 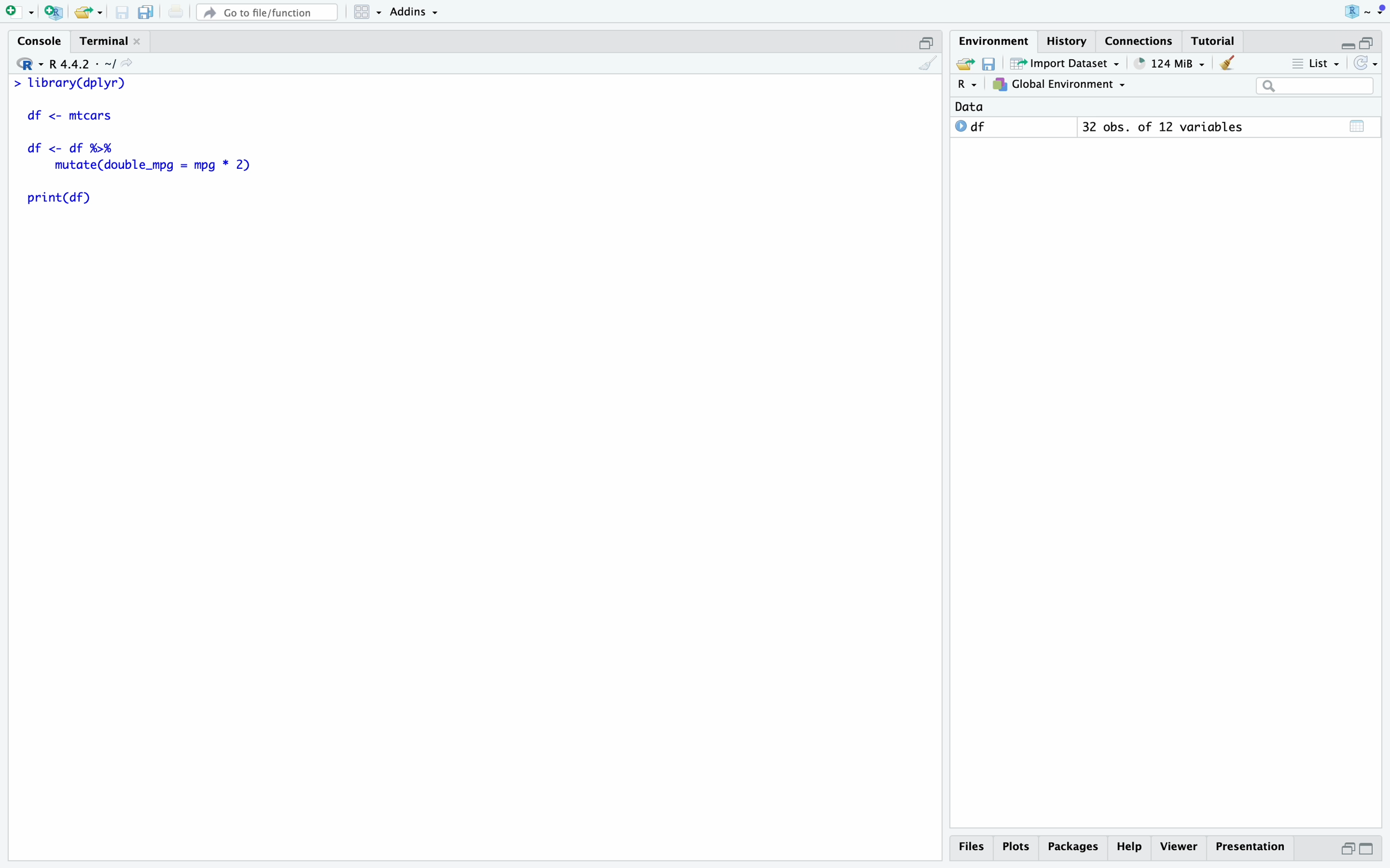 What do you see at coordinates (1365, 12) in the screenshot?
I see `logo` at bounding box center [1365, 12].